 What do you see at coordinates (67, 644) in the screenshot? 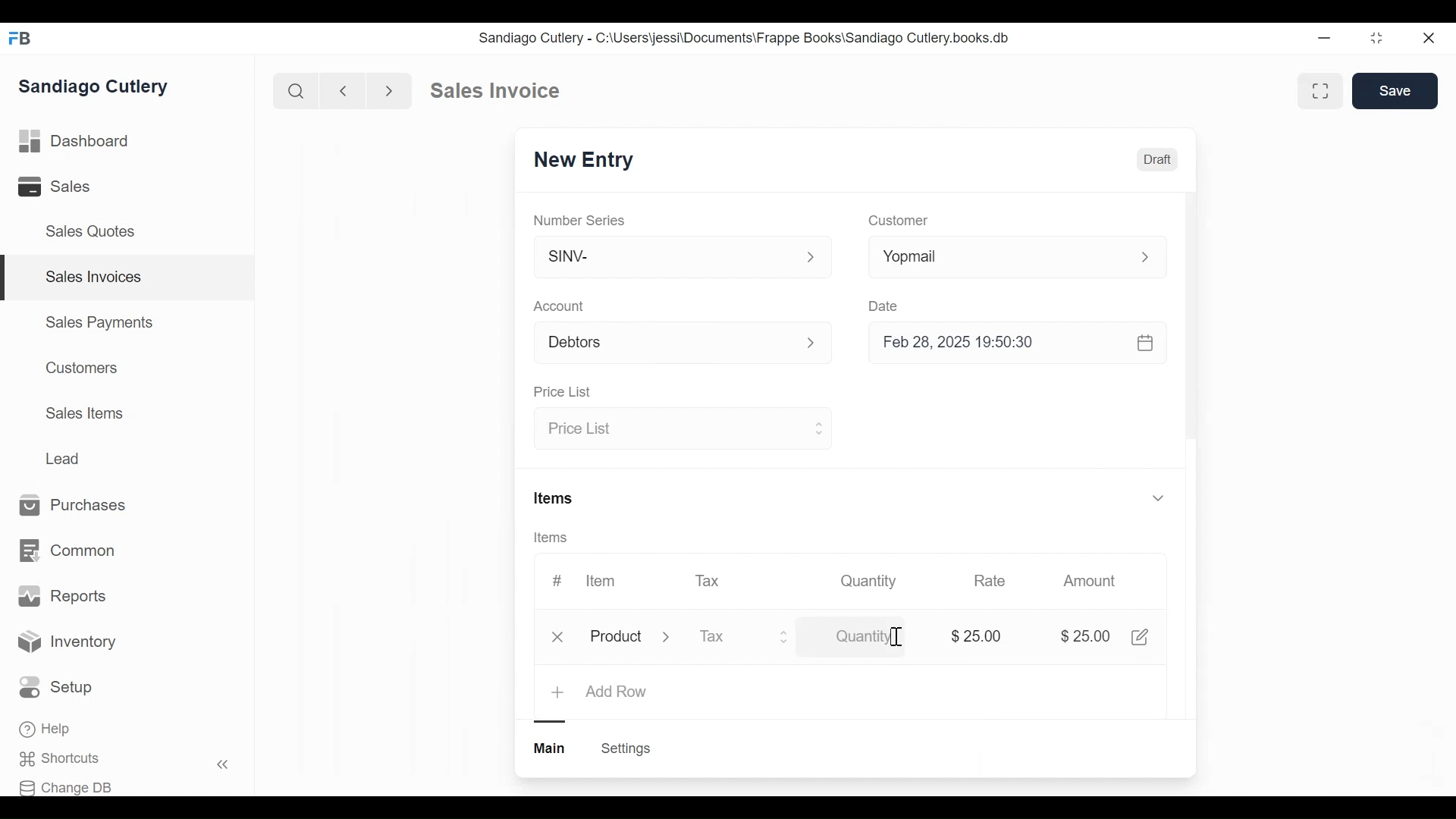
I see `Inventory` at bounding box center [67, 644].